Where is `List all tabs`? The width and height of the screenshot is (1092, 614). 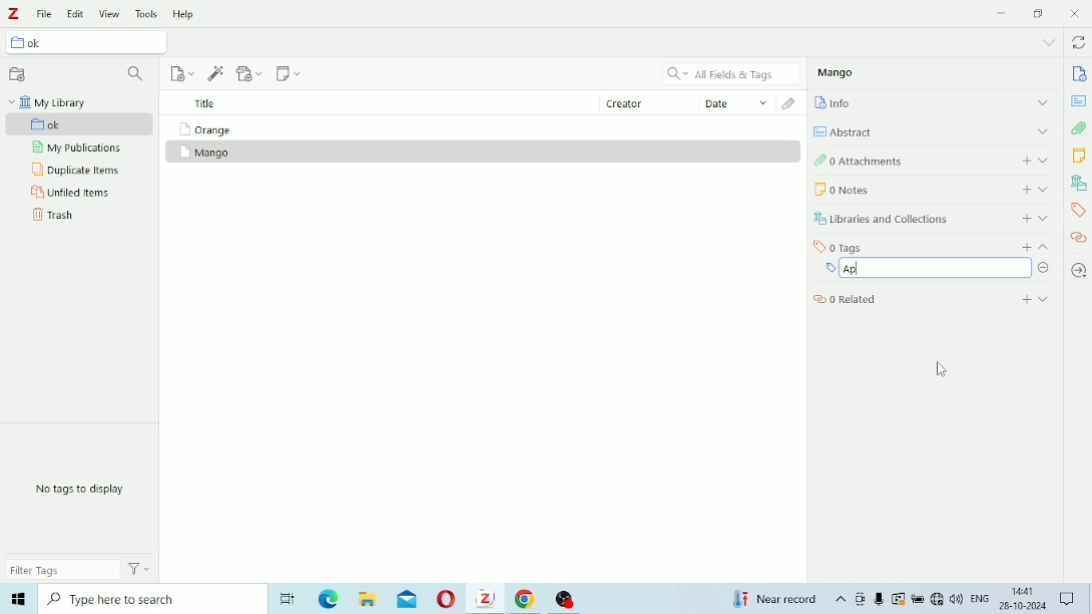 List all tabs is located at coordinates (1050, 43).